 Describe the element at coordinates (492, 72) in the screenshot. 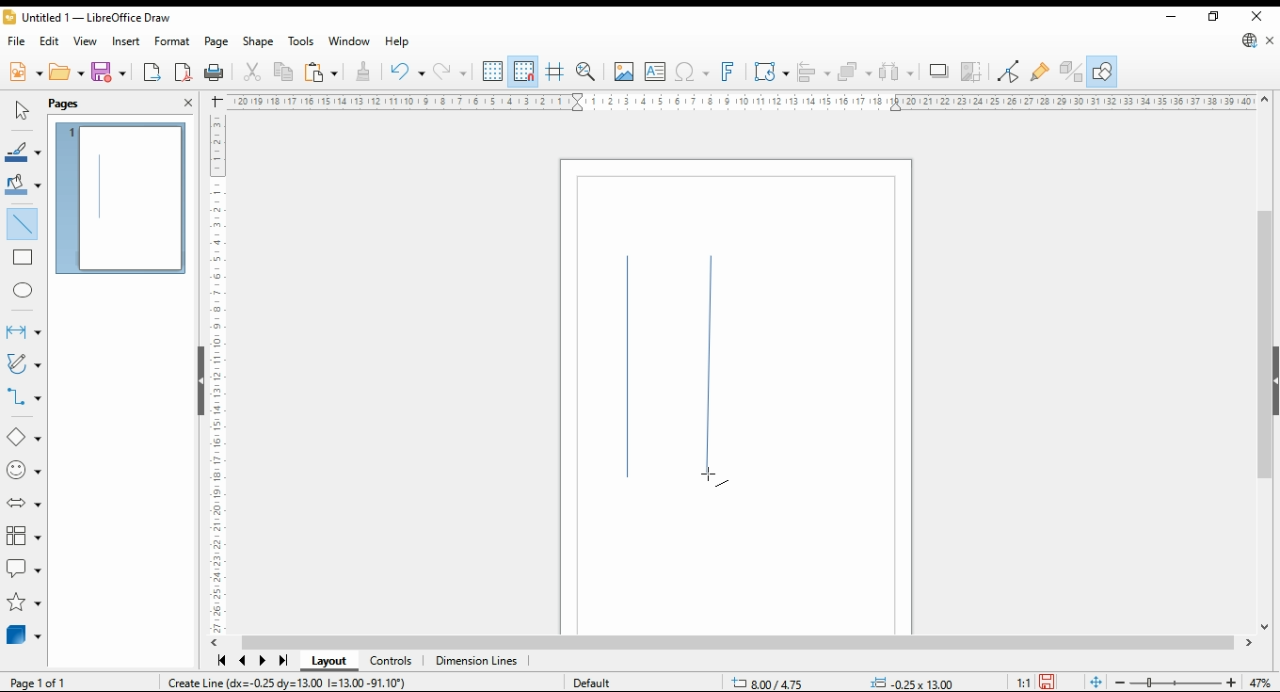

I see `show grids` at that location.